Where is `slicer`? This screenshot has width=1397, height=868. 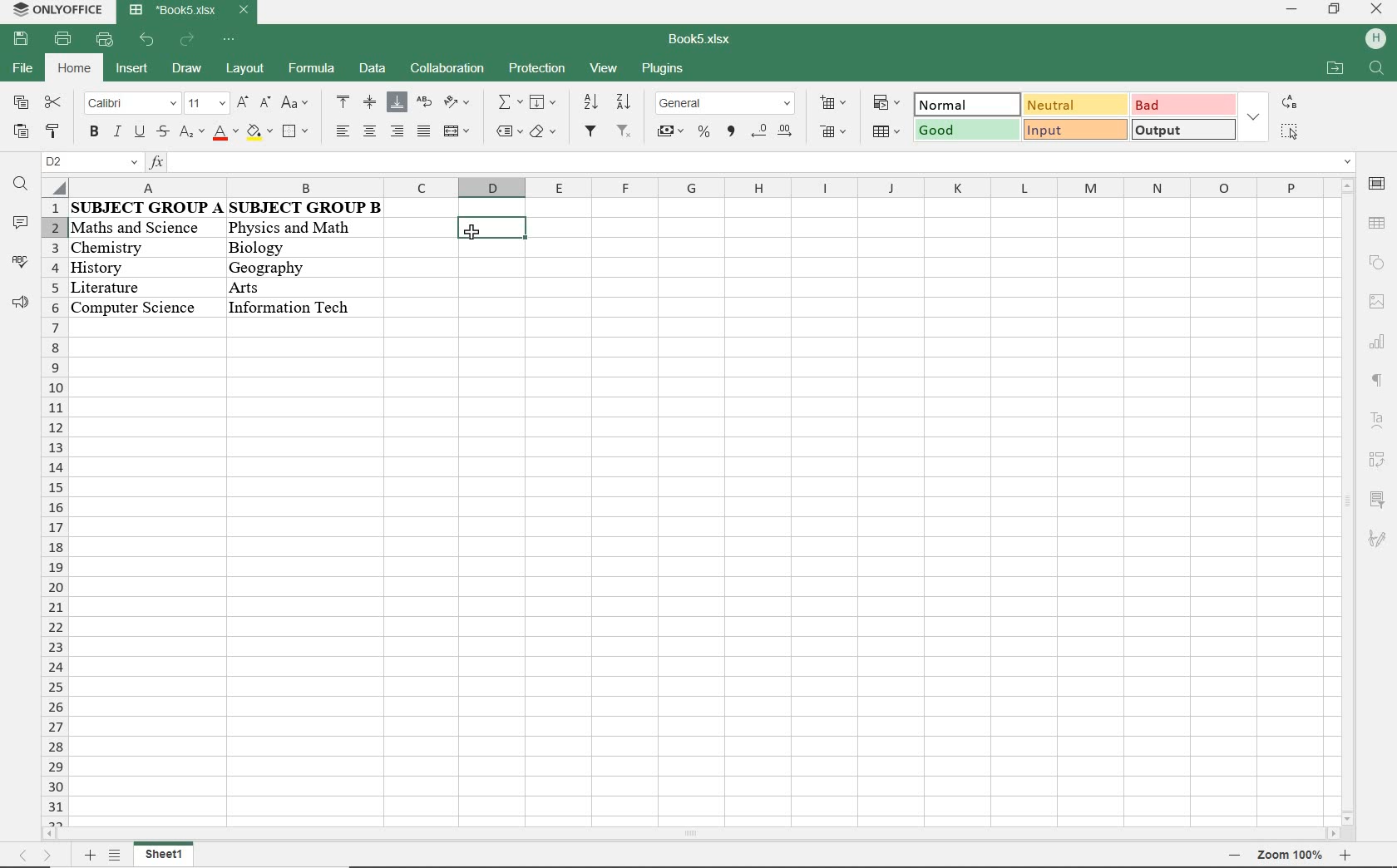 slicer is located at coordinates (1376, 499).